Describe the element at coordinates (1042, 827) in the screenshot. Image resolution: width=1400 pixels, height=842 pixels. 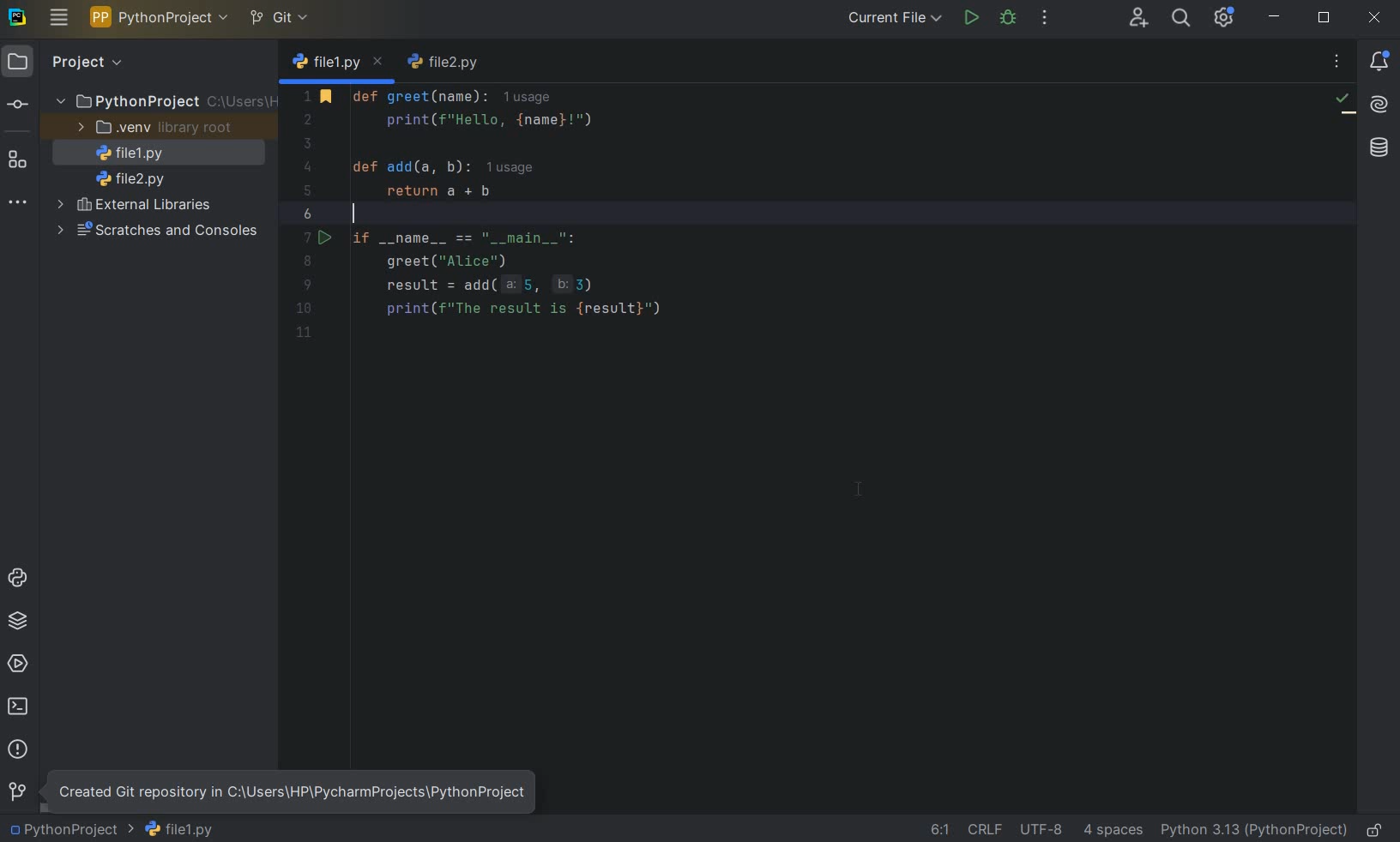
I see `file encoding` at that location.